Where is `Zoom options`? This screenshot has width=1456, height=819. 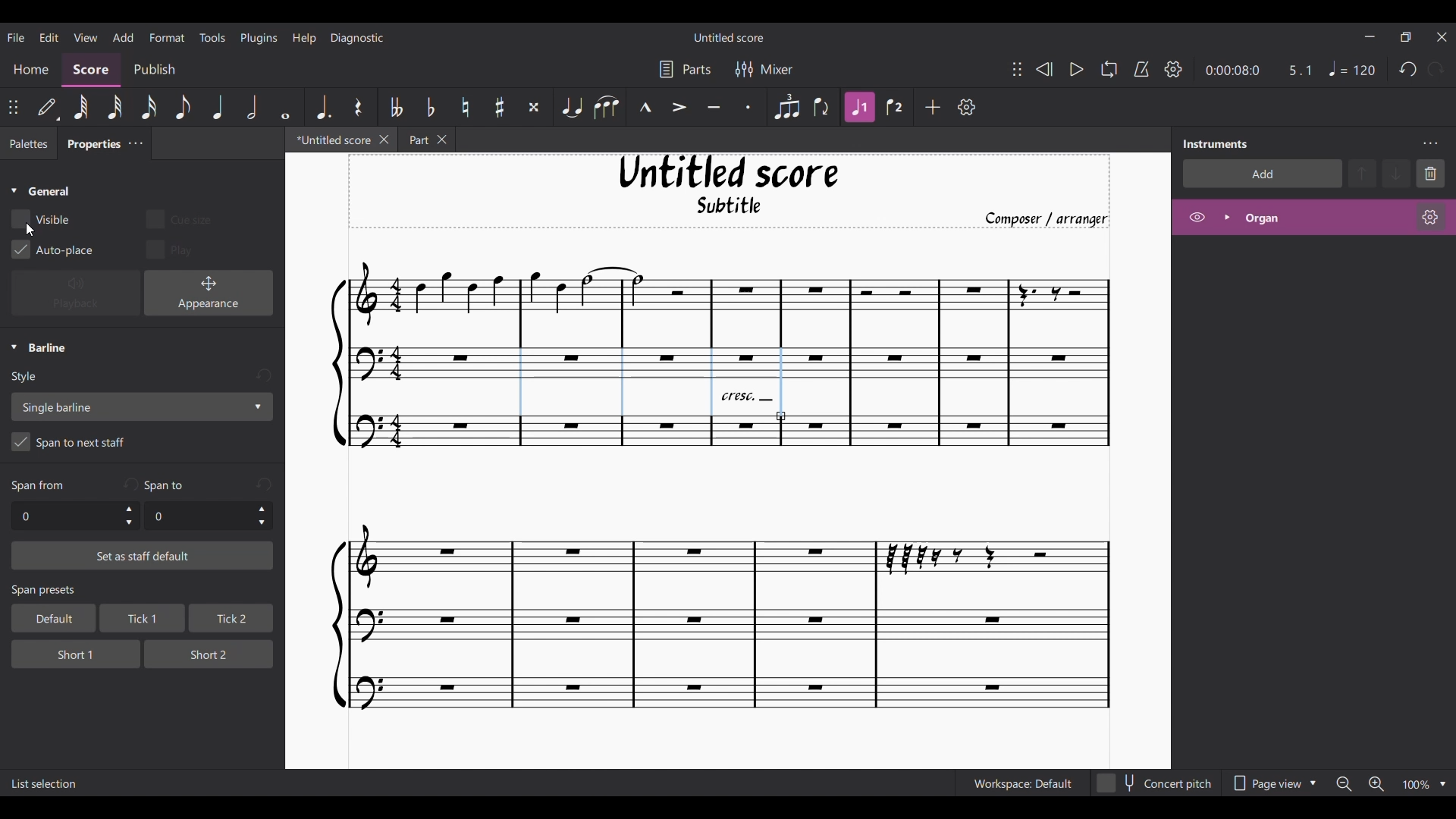 Zoom options is located at coordinates (1443, 784).